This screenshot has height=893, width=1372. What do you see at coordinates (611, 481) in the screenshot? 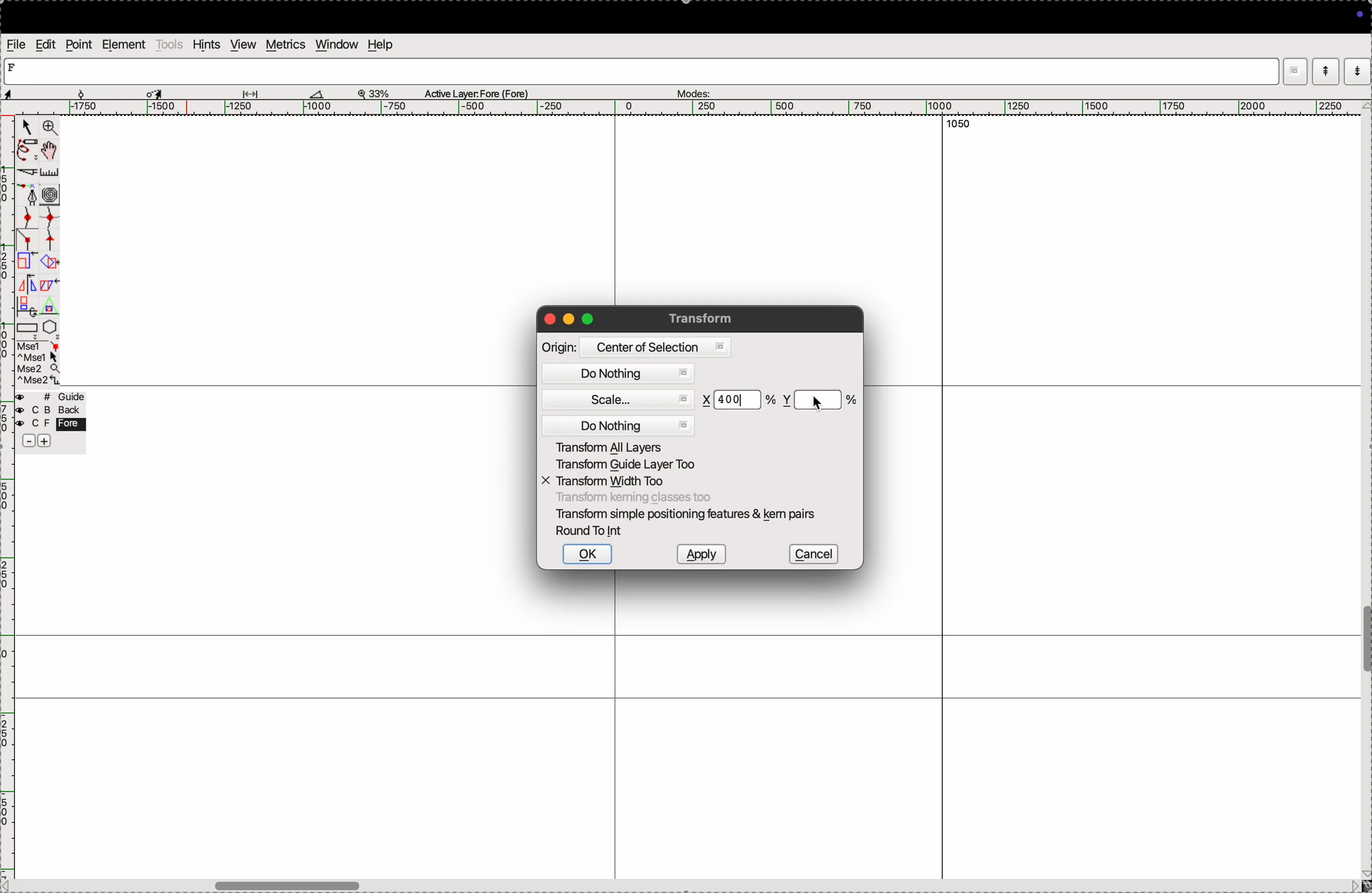
I see `transform width too` at bounding box center [611, 481].